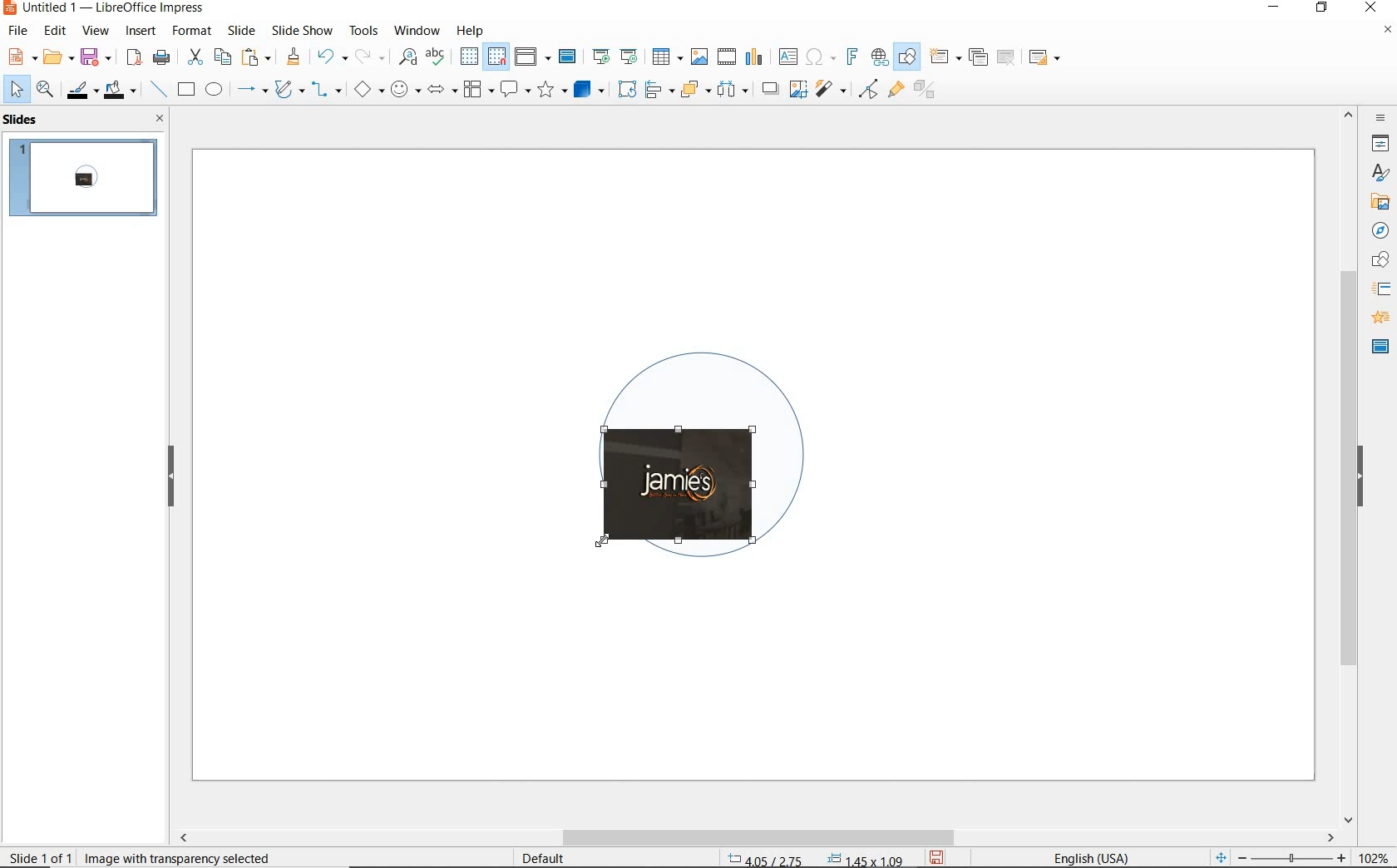 The image size is (1397, 868). Describe the element at coordinates (86, 180) in the screenshot. I see `slide 1` at that location.